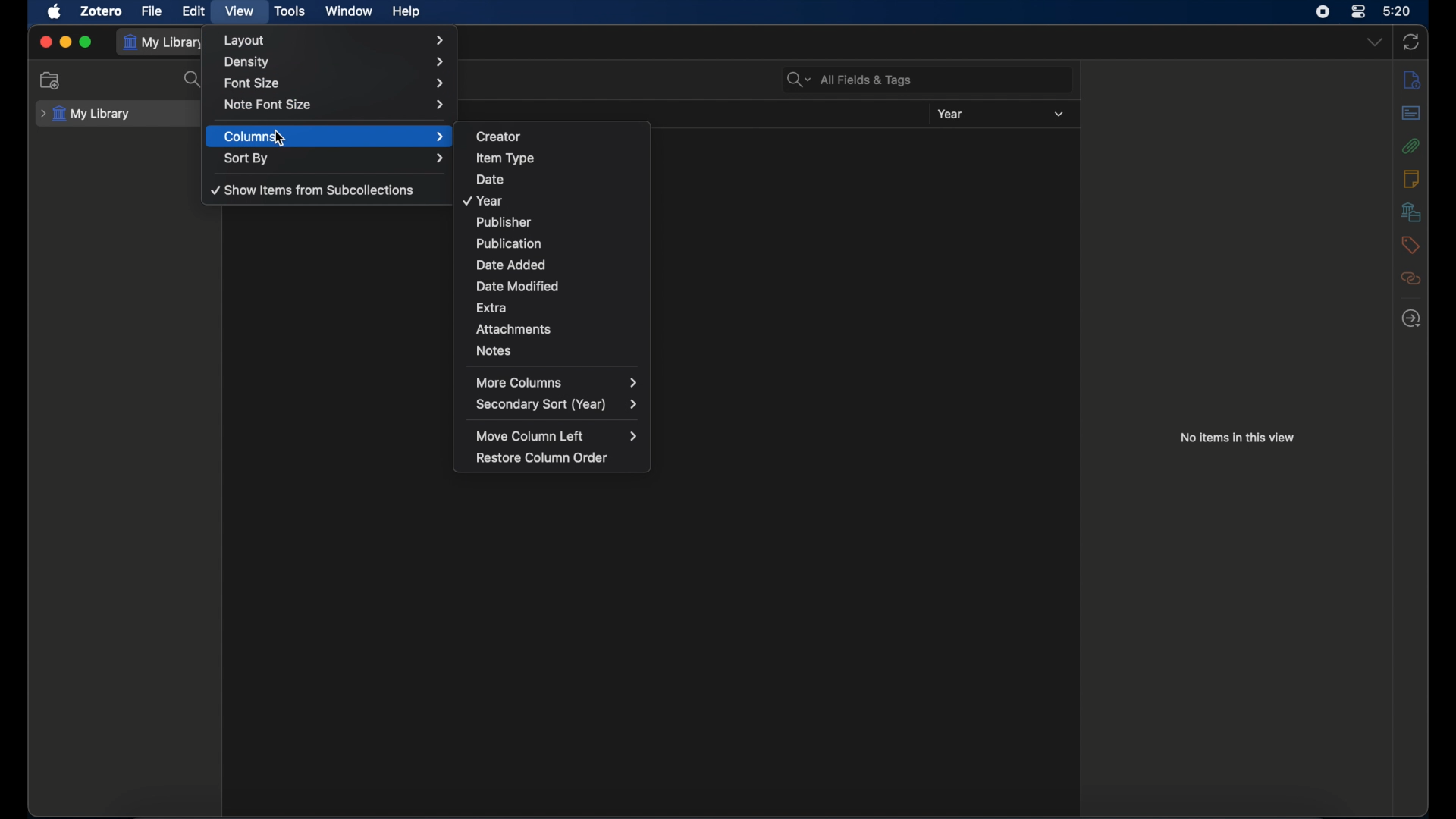 This screenshot has height=819, width=1456. Describe the element at coordinates (560, 156) in the screenshot. I see `item type` at that location.